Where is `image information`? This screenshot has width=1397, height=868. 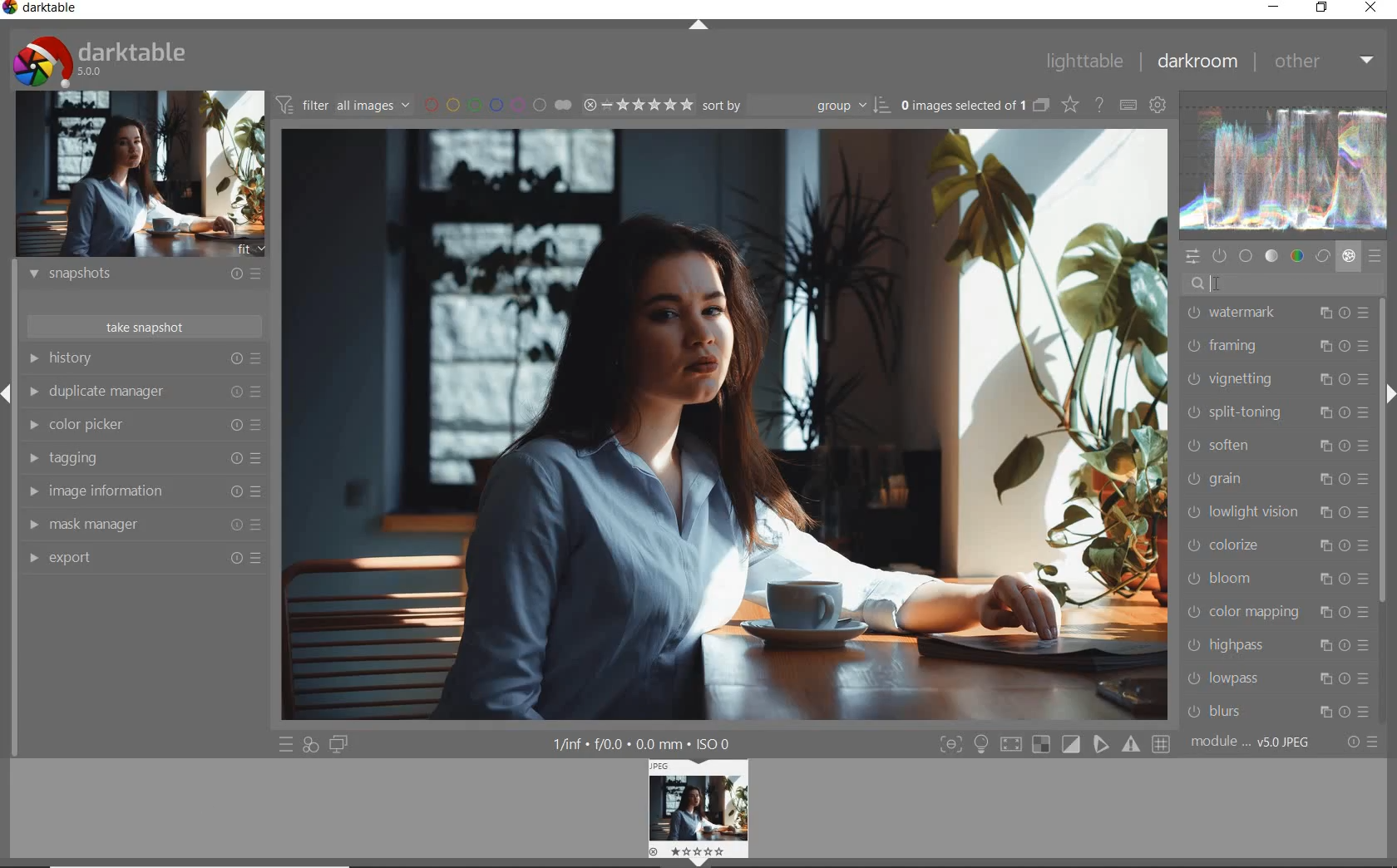
image information is located at coordinates (146, 490).